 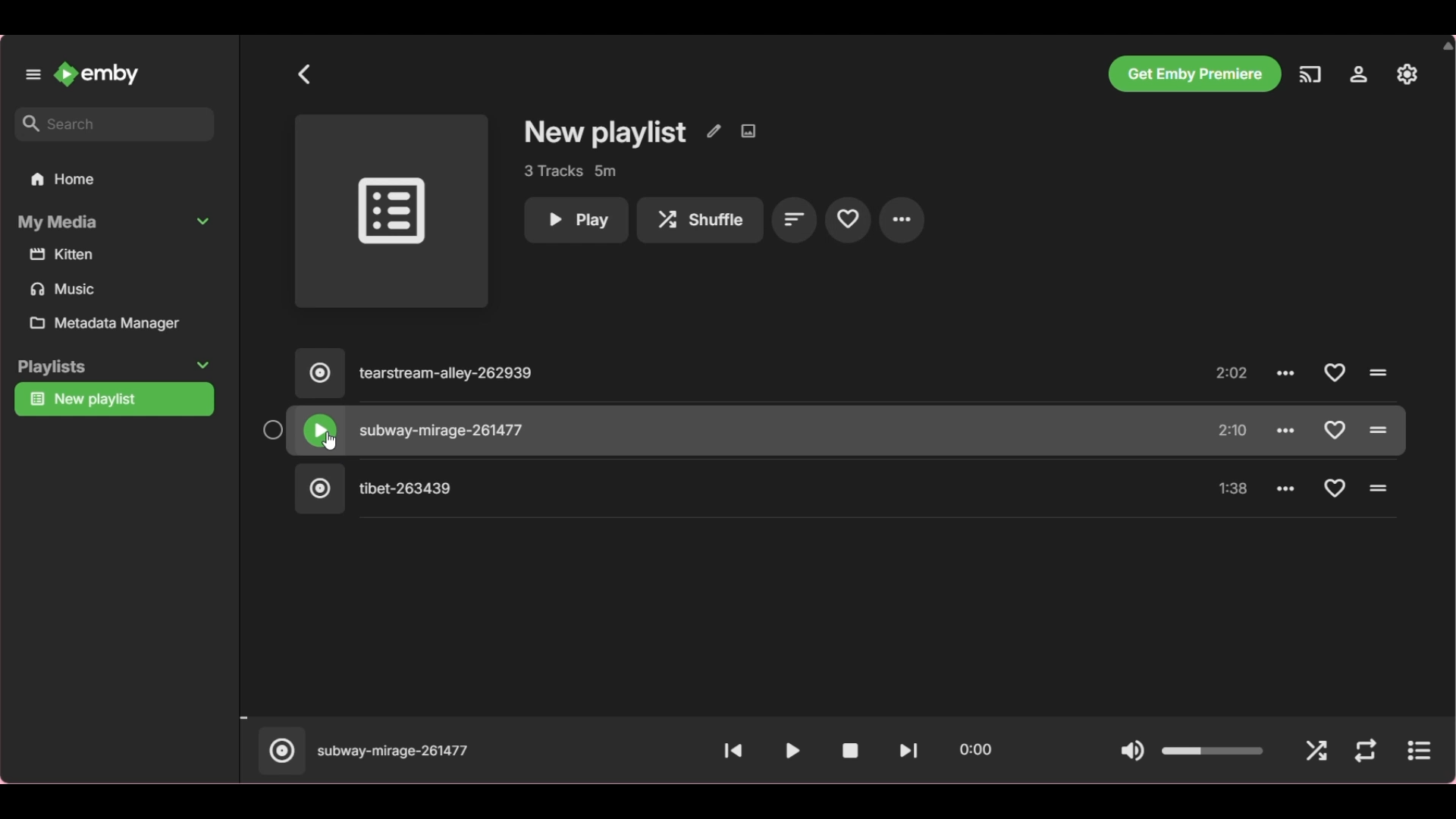 I want to click on Sort by playlist order, so click(x=795, y=219).